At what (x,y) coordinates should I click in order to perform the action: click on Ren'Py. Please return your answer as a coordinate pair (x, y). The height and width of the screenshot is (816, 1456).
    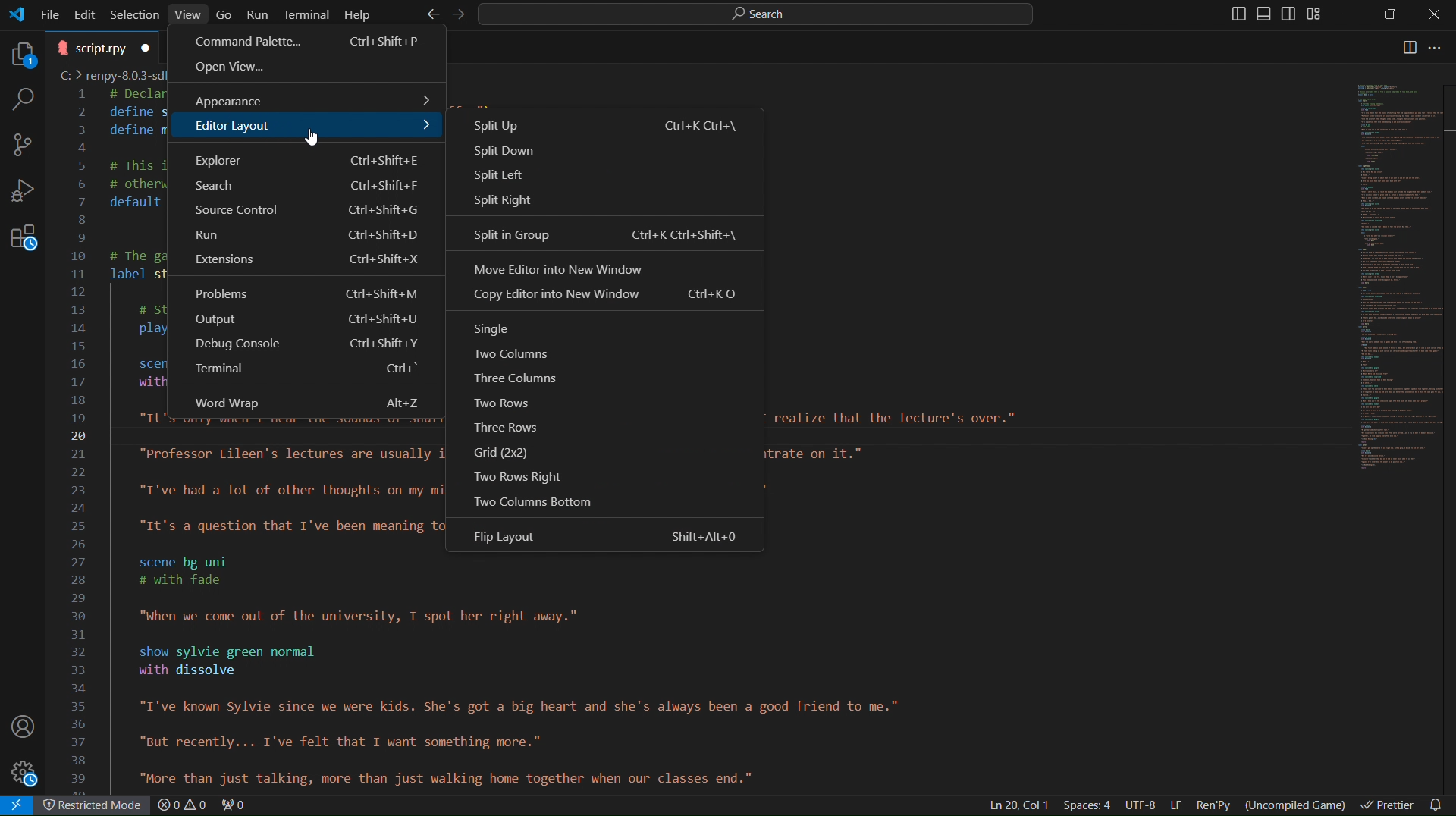
    Looking at the image, I should click on (1216, 804).